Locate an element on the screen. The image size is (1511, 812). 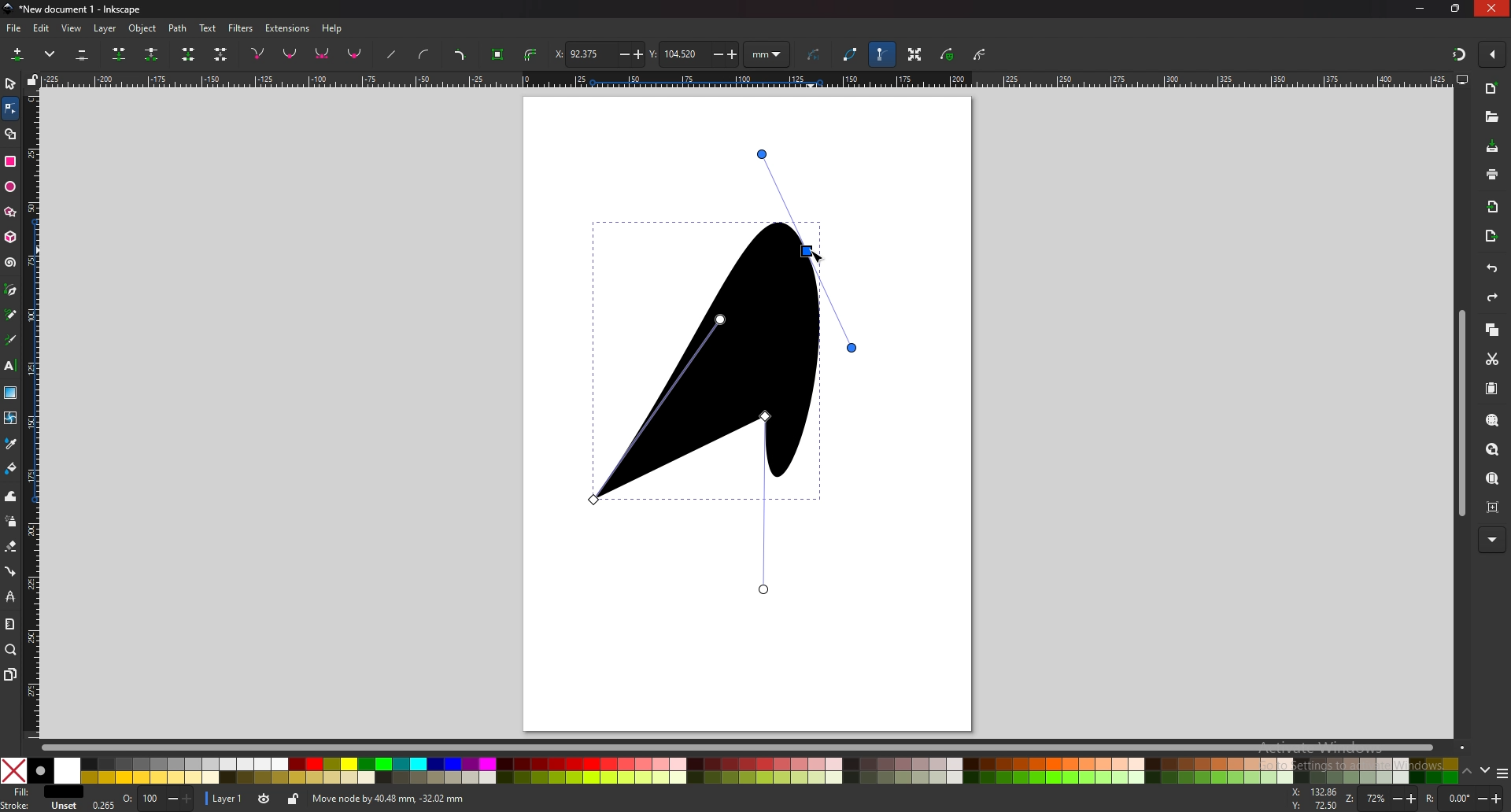
object is located at coordinates (145, 28).